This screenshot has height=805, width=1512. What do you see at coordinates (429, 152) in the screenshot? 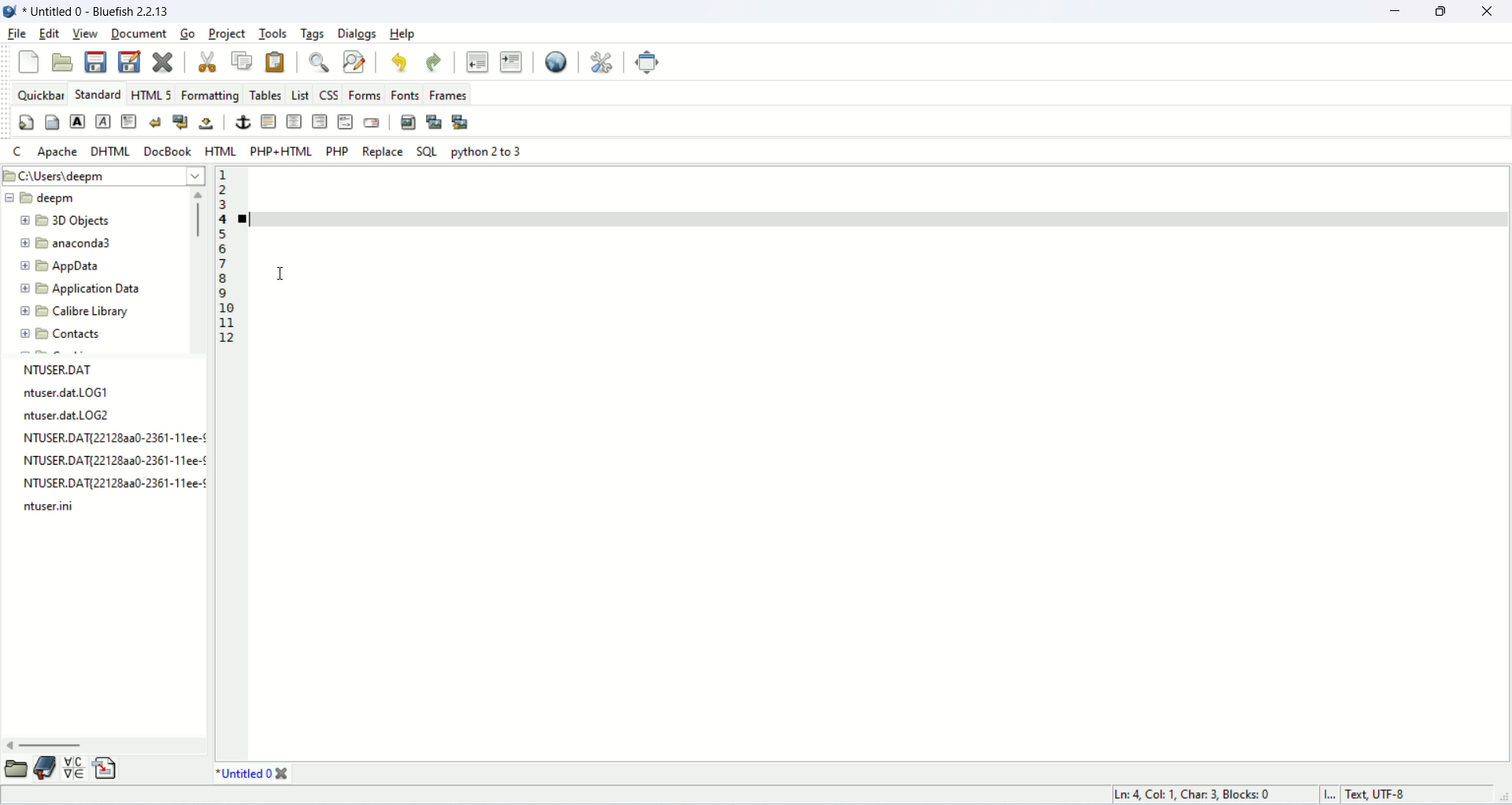
I see `SQL` at bounding box center [429, 152].